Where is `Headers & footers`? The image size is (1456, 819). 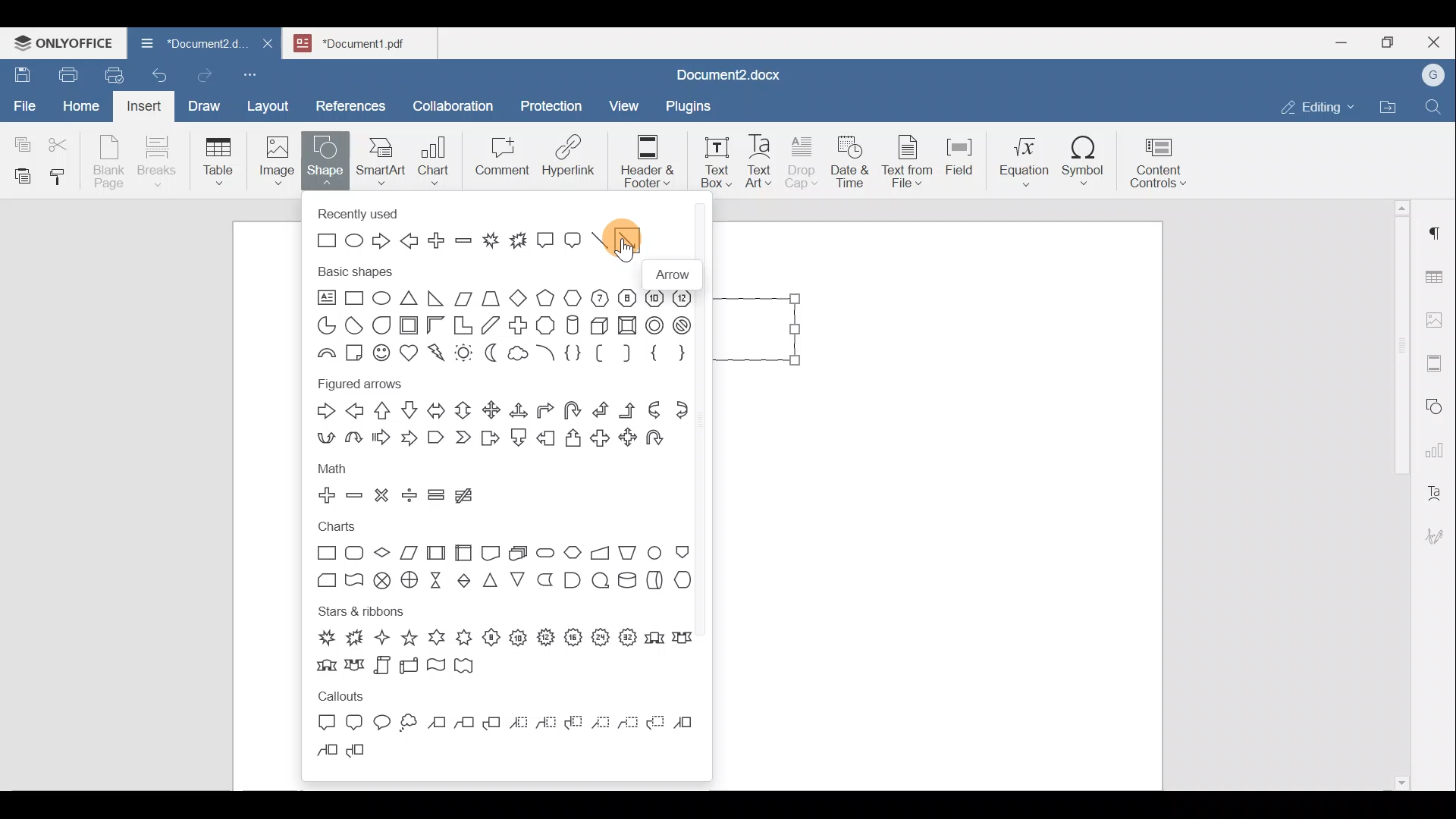
Headers & footers is located at coordinates (1437, 359).